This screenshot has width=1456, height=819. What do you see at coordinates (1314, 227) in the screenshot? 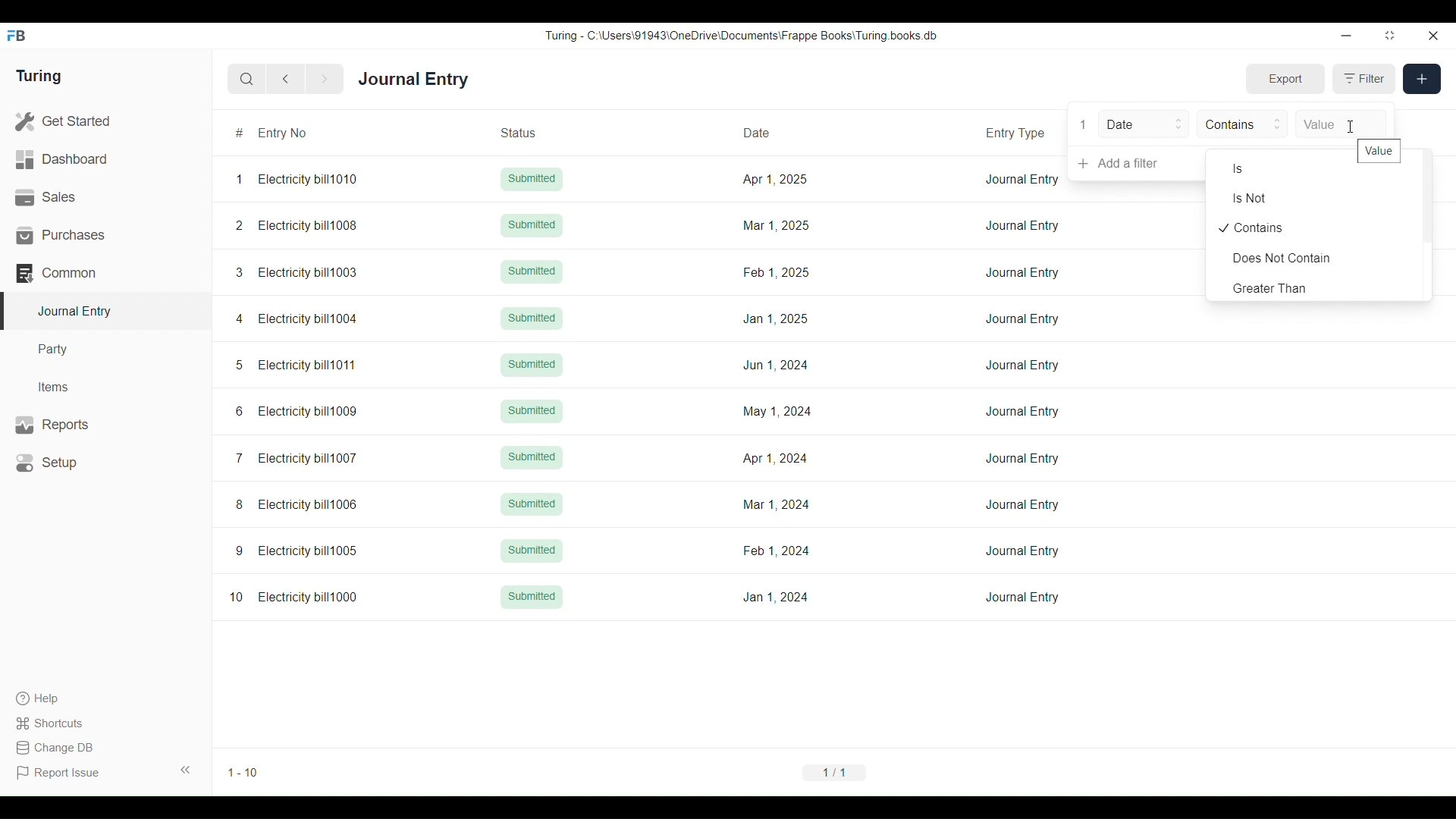
I see `Contains` at bounding box center [1314, 227].